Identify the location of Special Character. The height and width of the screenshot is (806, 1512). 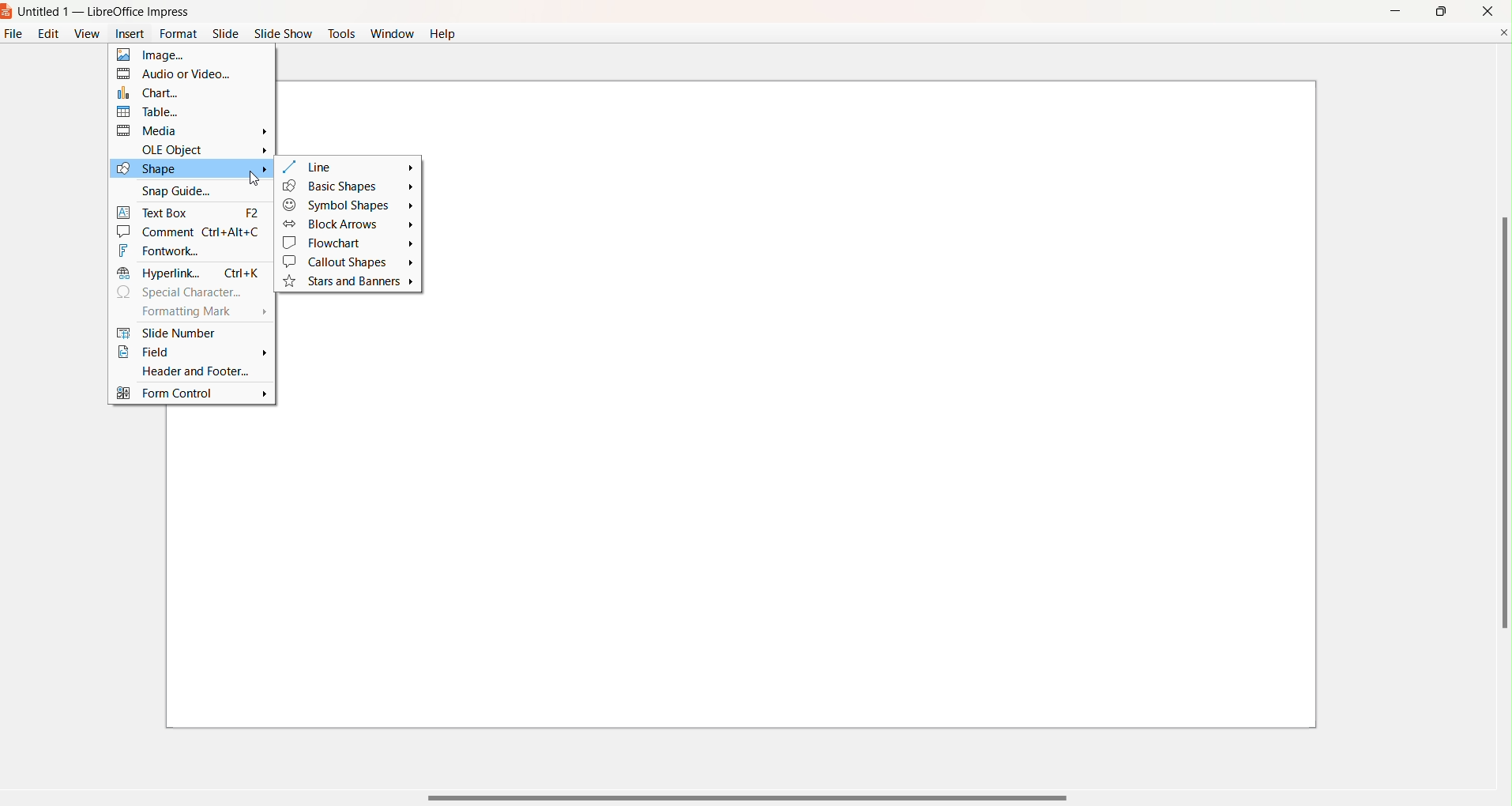
(185, 292).